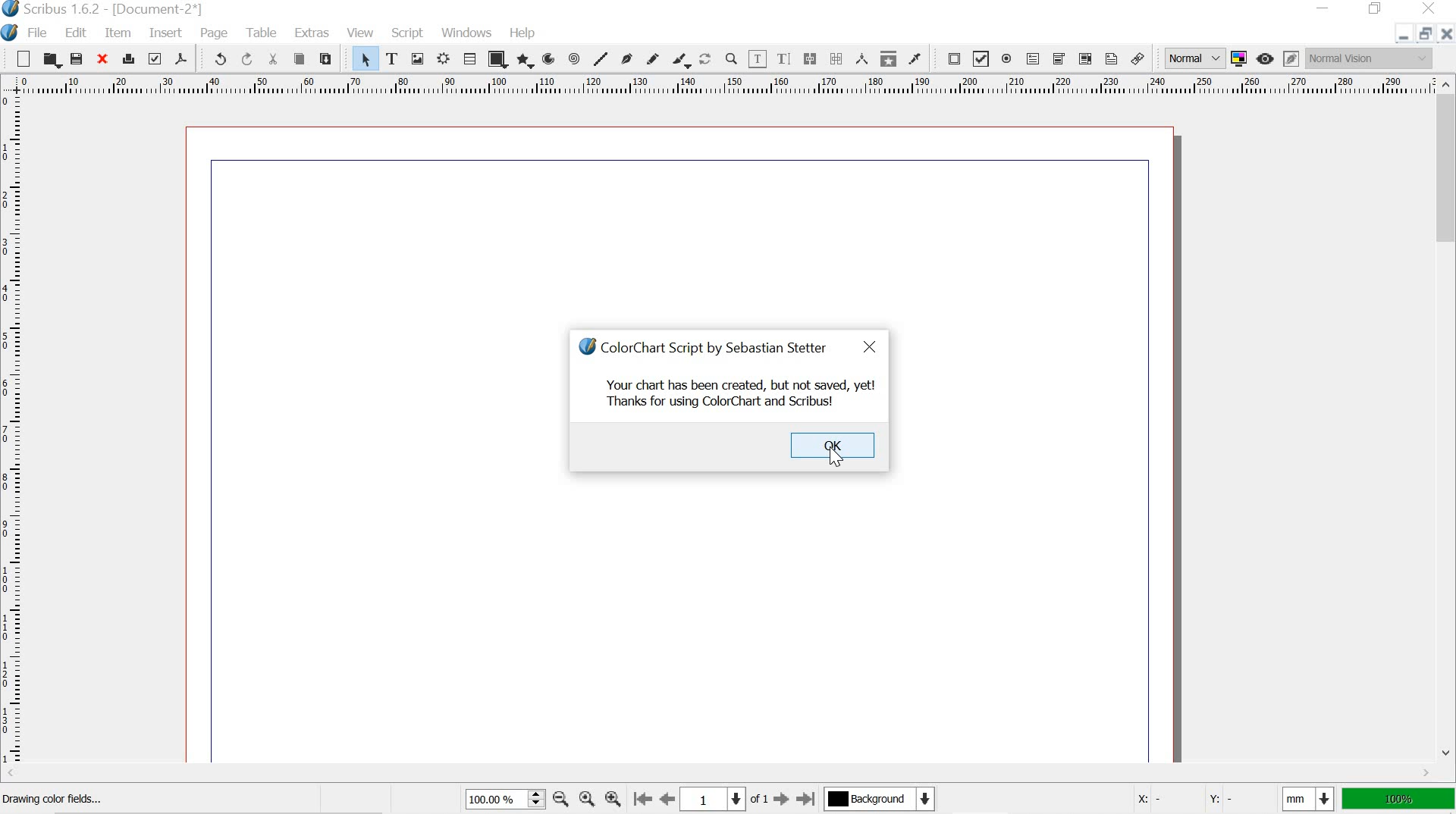 The height and width of the screenshot is (814, 1456). Describe the element at coordinates (363, 58) in the screenshot. I see `select item` at that location.